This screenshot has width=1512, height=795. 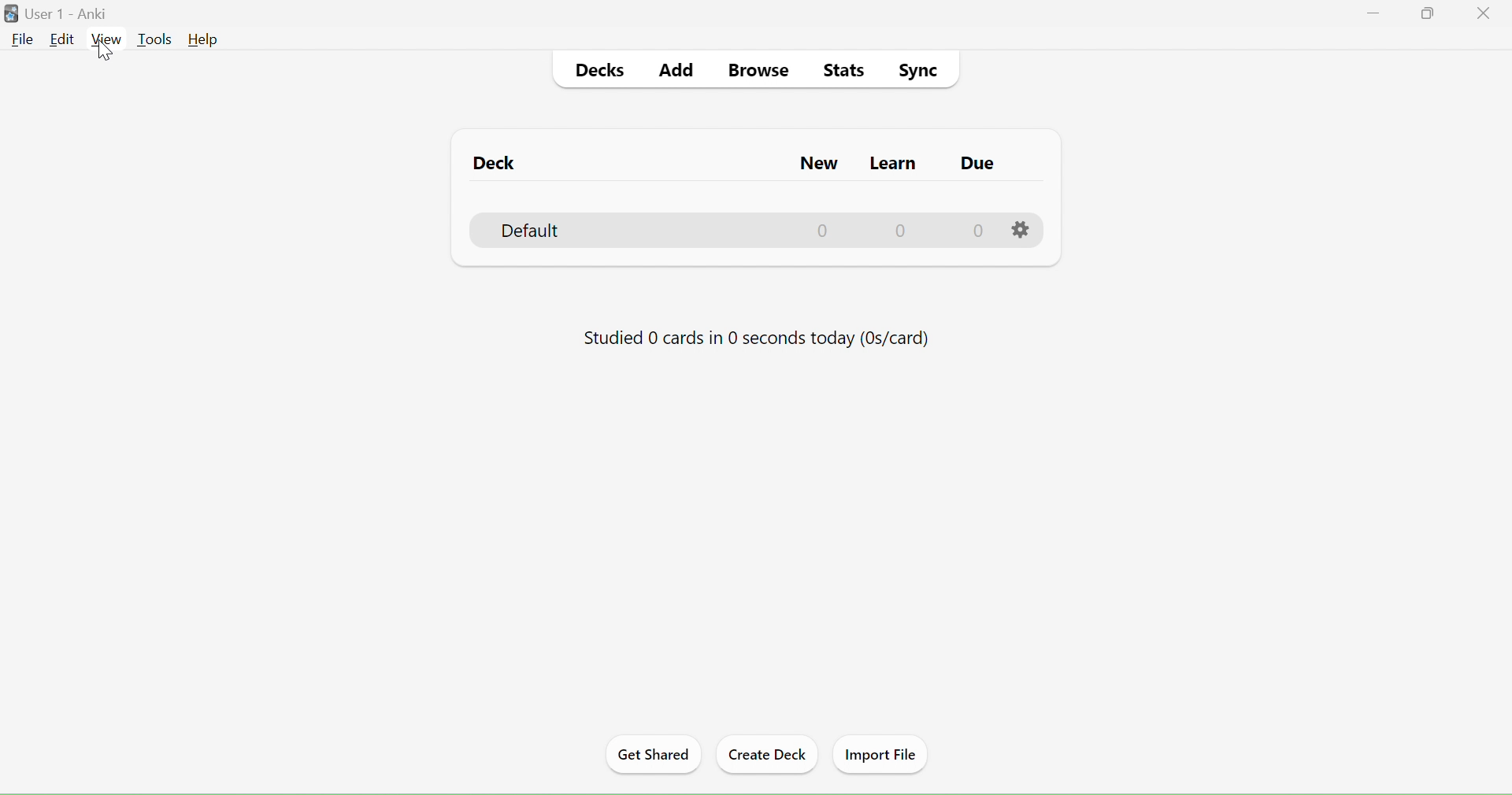 I want to click on maximize, so click(x=1431, y=13).